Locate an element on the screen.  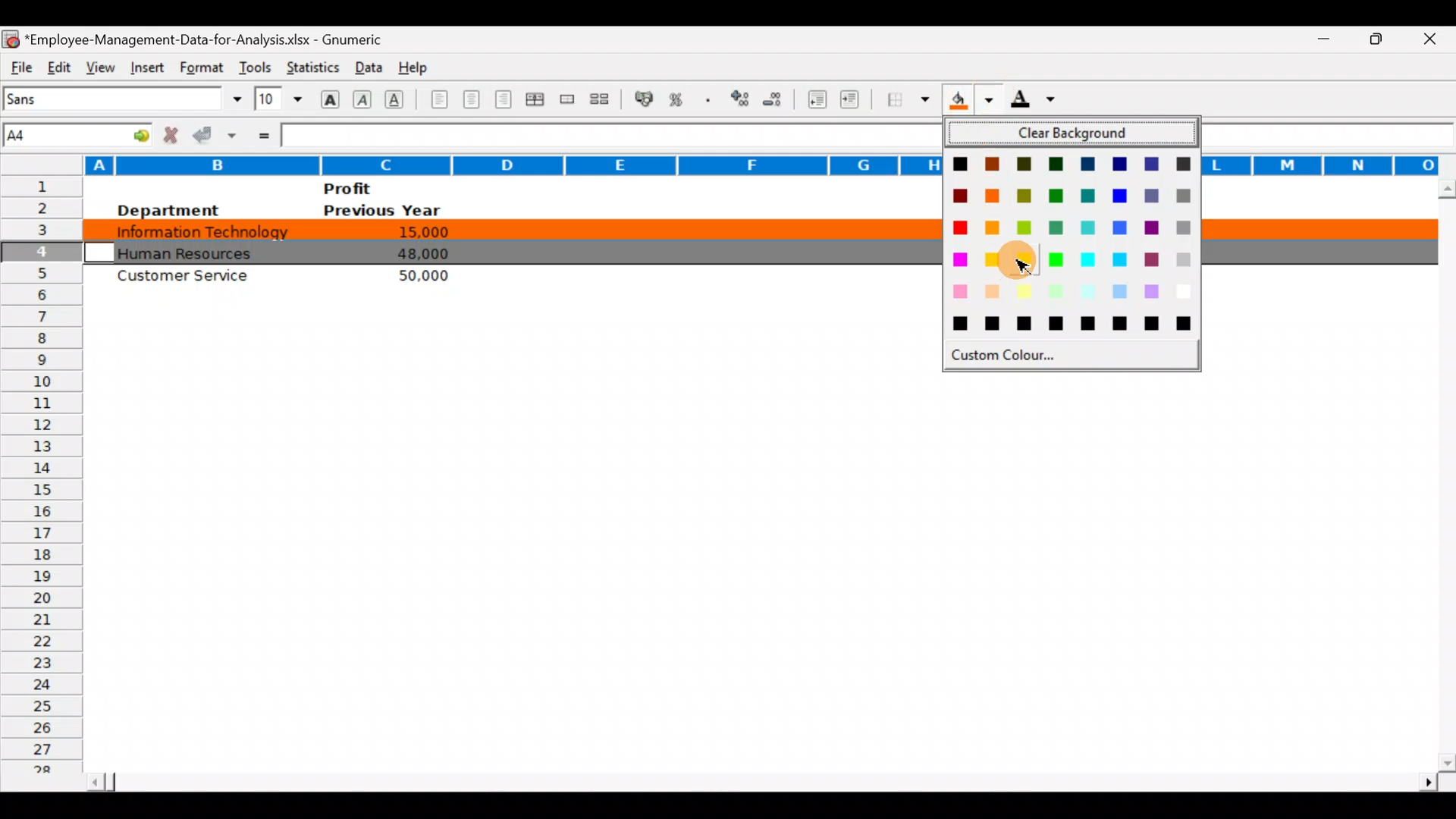
Profit is located at coordinates (376, 188).